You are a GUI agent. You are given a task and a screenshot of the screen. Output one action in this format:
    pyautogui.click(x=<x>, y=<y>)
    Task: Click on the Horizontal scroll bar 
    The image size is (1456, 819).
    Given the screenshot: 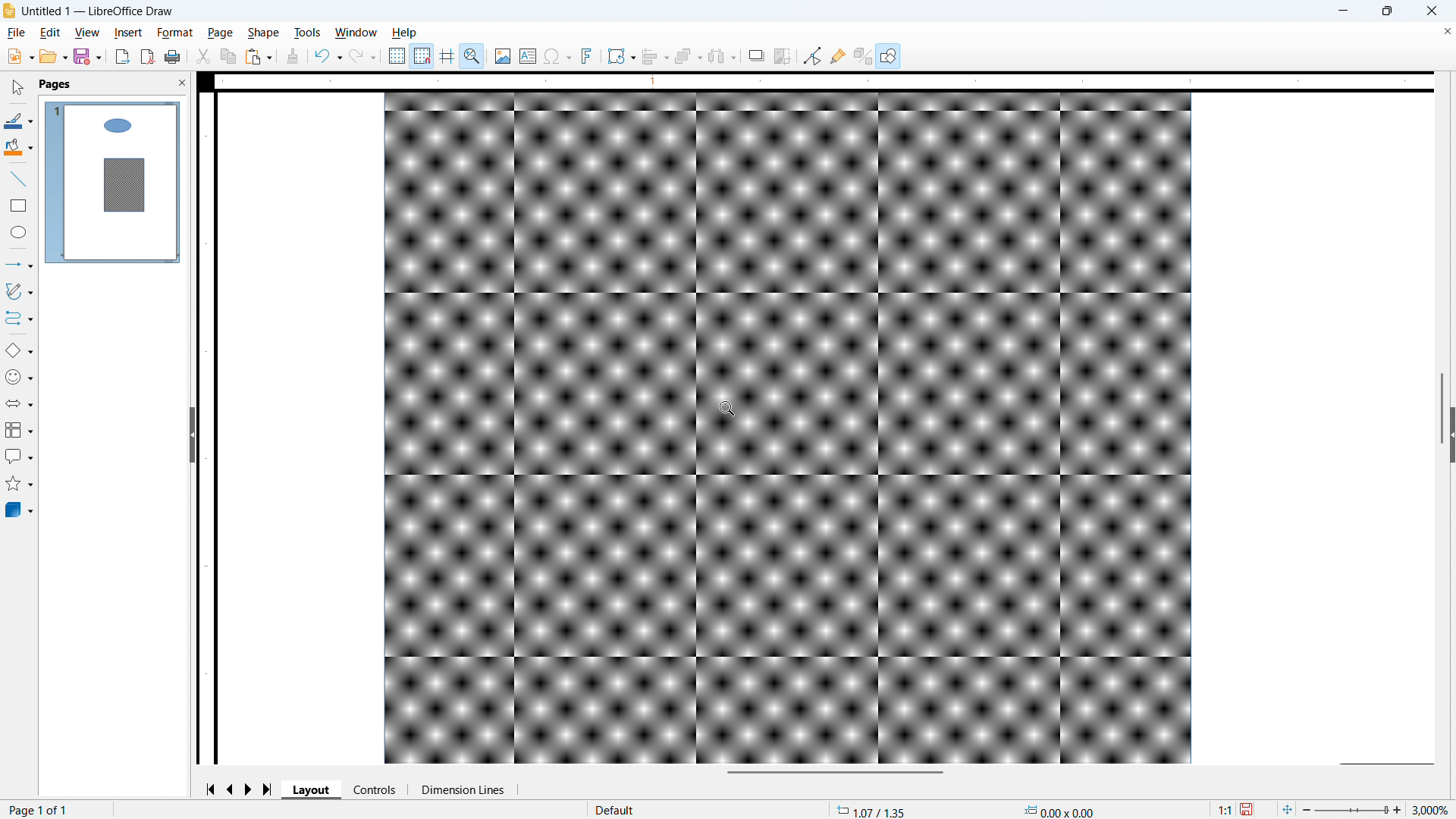 What is the action you would take?
    pyautogui.click(x=834, y=773)
    